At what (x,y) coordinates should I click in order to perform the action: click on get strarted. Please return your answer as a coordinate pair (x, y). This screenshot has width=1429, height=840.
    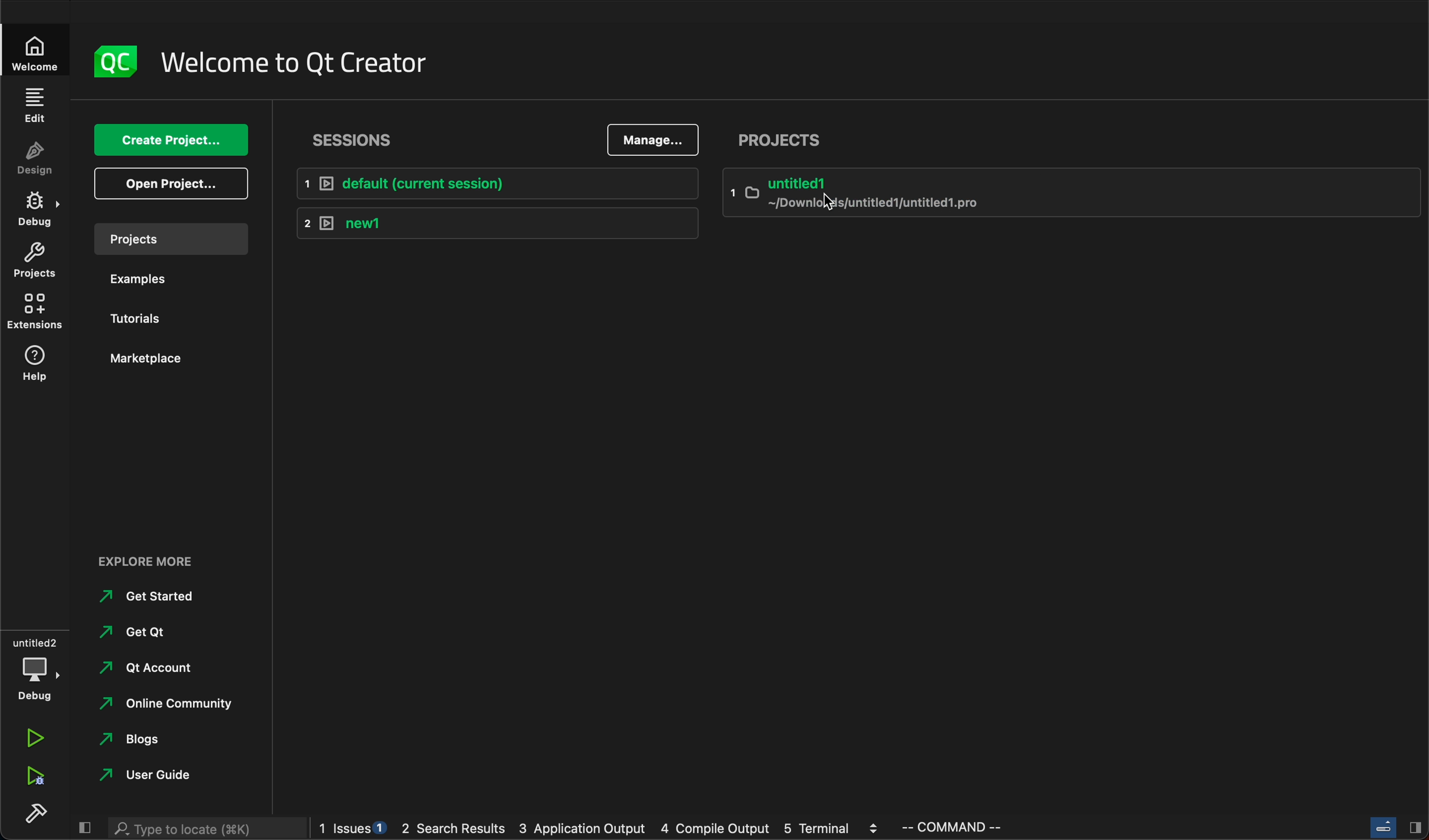
    Looking at the image, I should click on (153, 596).